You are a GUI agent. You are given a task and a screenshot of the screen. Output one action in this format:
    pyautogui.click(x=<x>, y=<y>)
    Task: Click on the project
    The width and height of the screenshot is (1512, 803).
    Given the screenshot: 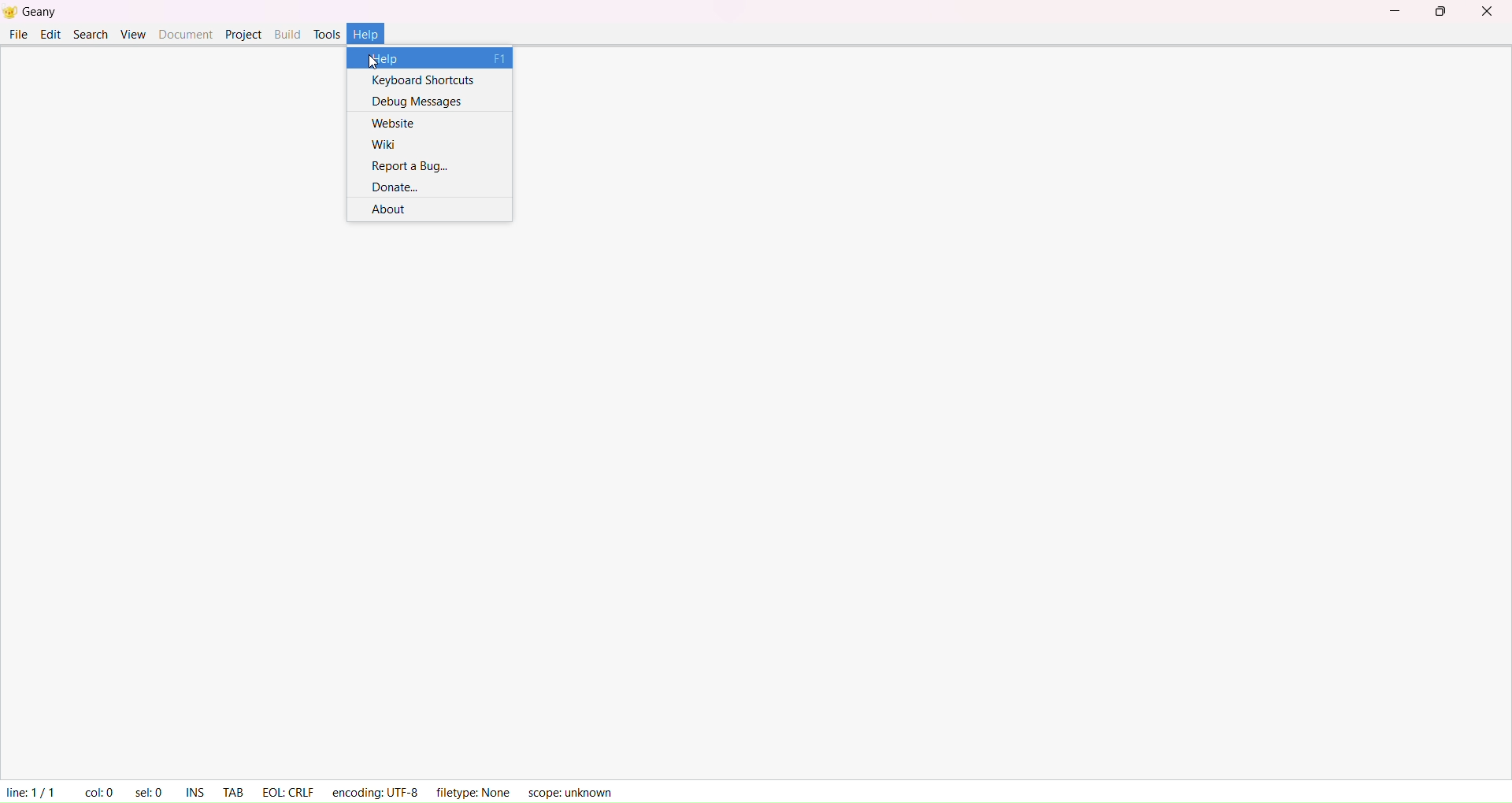 What is the action you would take?
    pyautogui.click(x=242, y=34)
    